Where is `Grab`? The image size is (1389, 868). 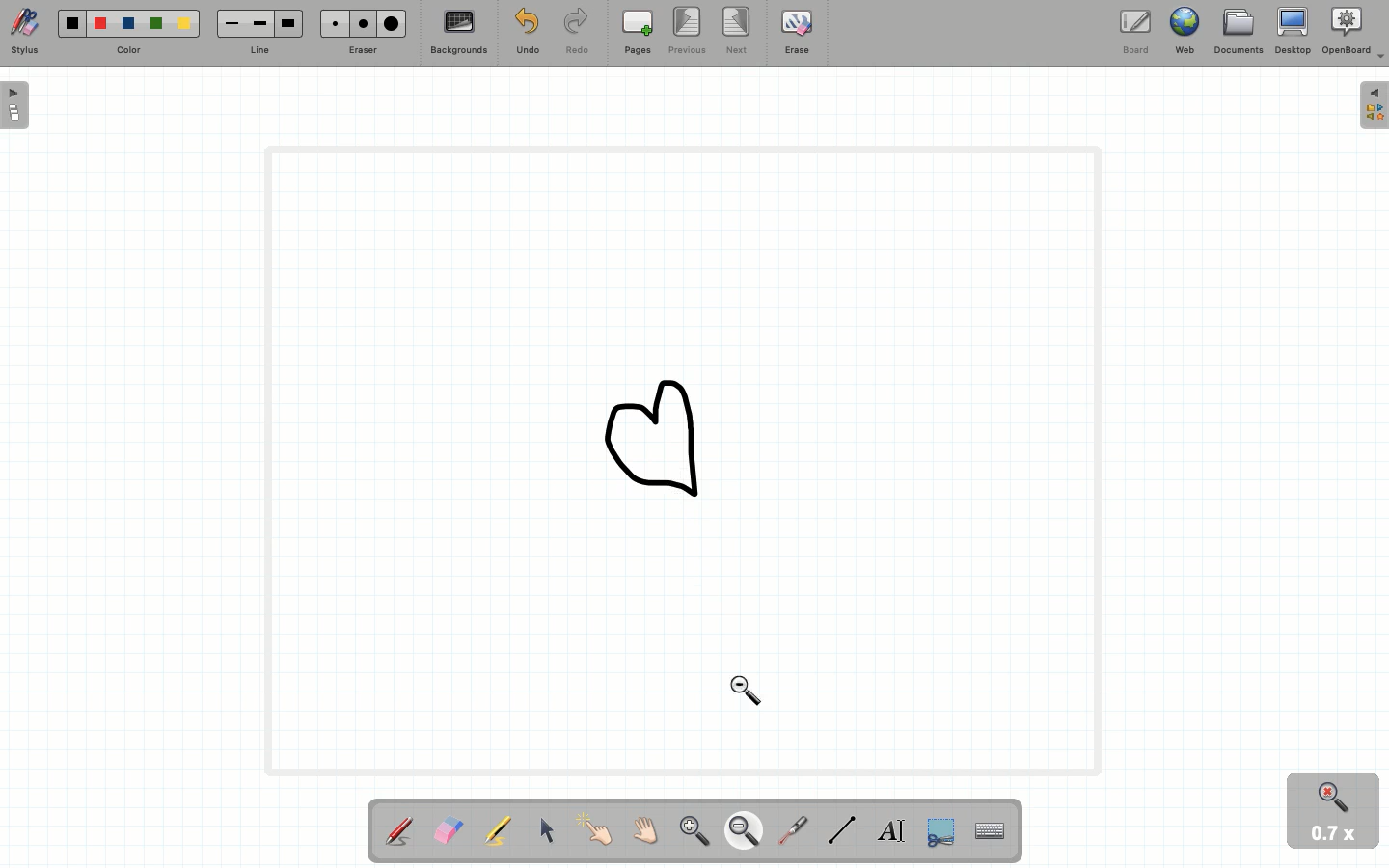 Grab is located at coordinates (646, 830).